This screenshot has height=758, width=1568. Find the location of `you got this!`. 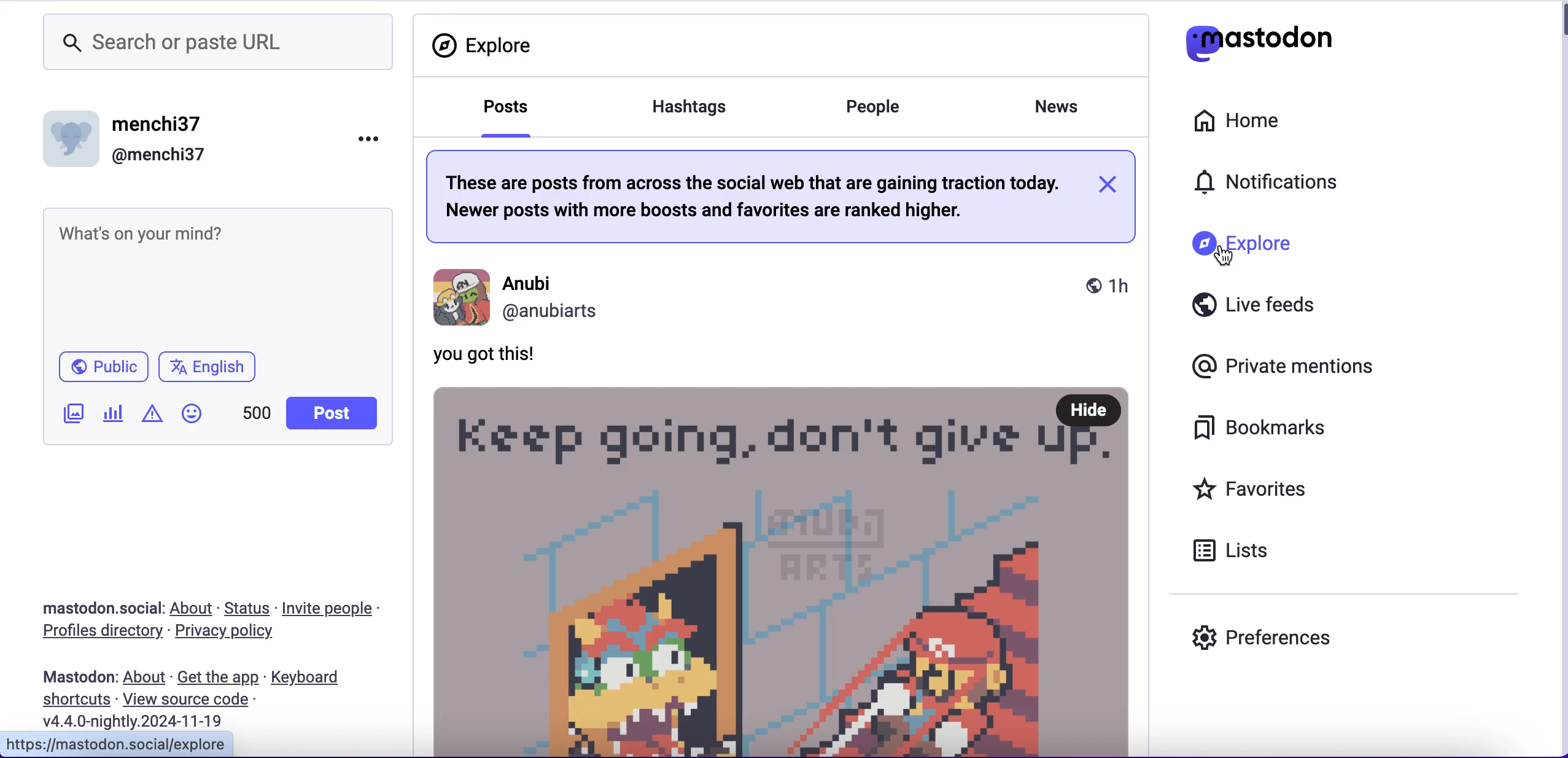

you got this! is located at coordinates (499, 359).